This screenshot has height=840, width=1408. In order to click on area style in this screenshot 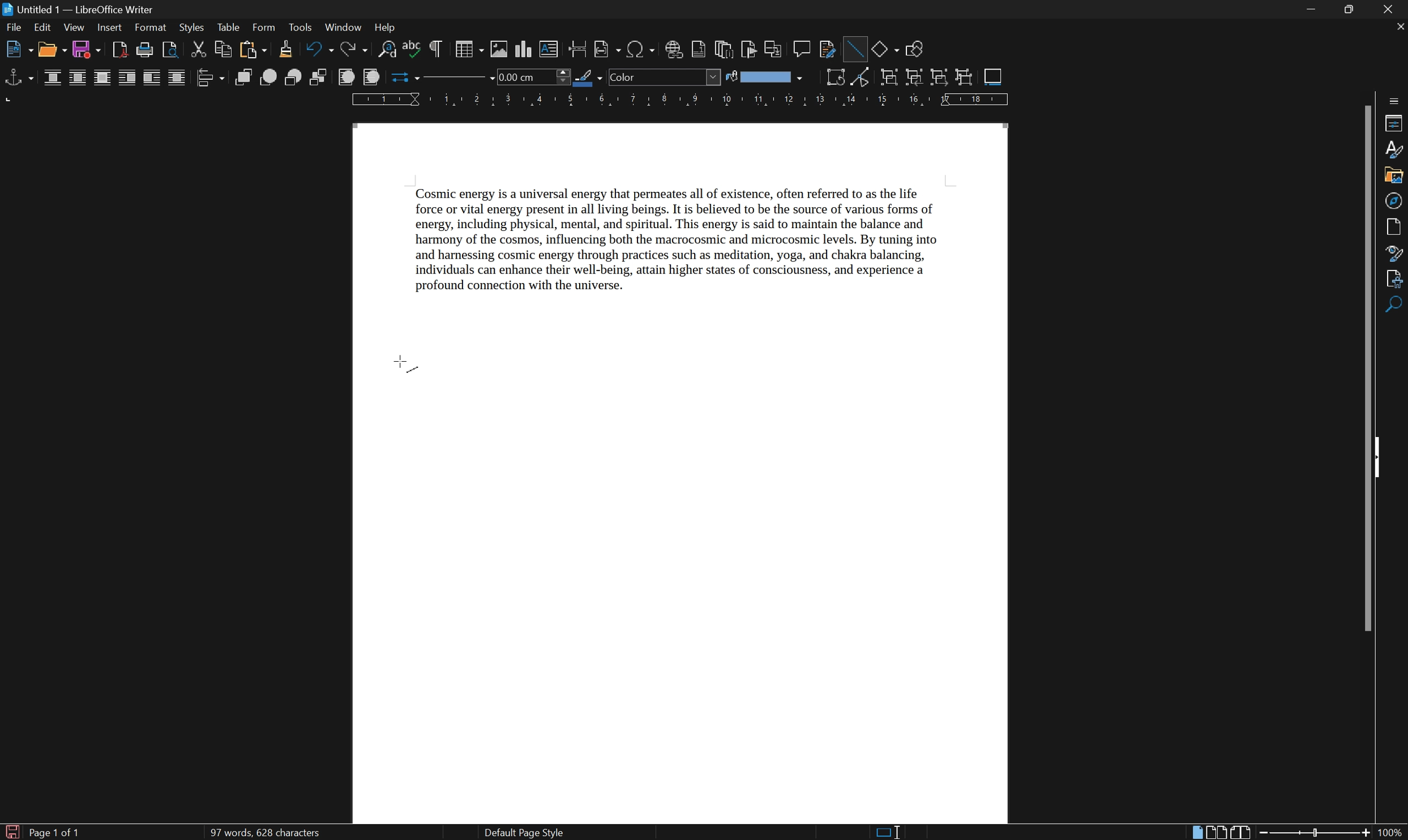, I will do `click(665, 77)`.